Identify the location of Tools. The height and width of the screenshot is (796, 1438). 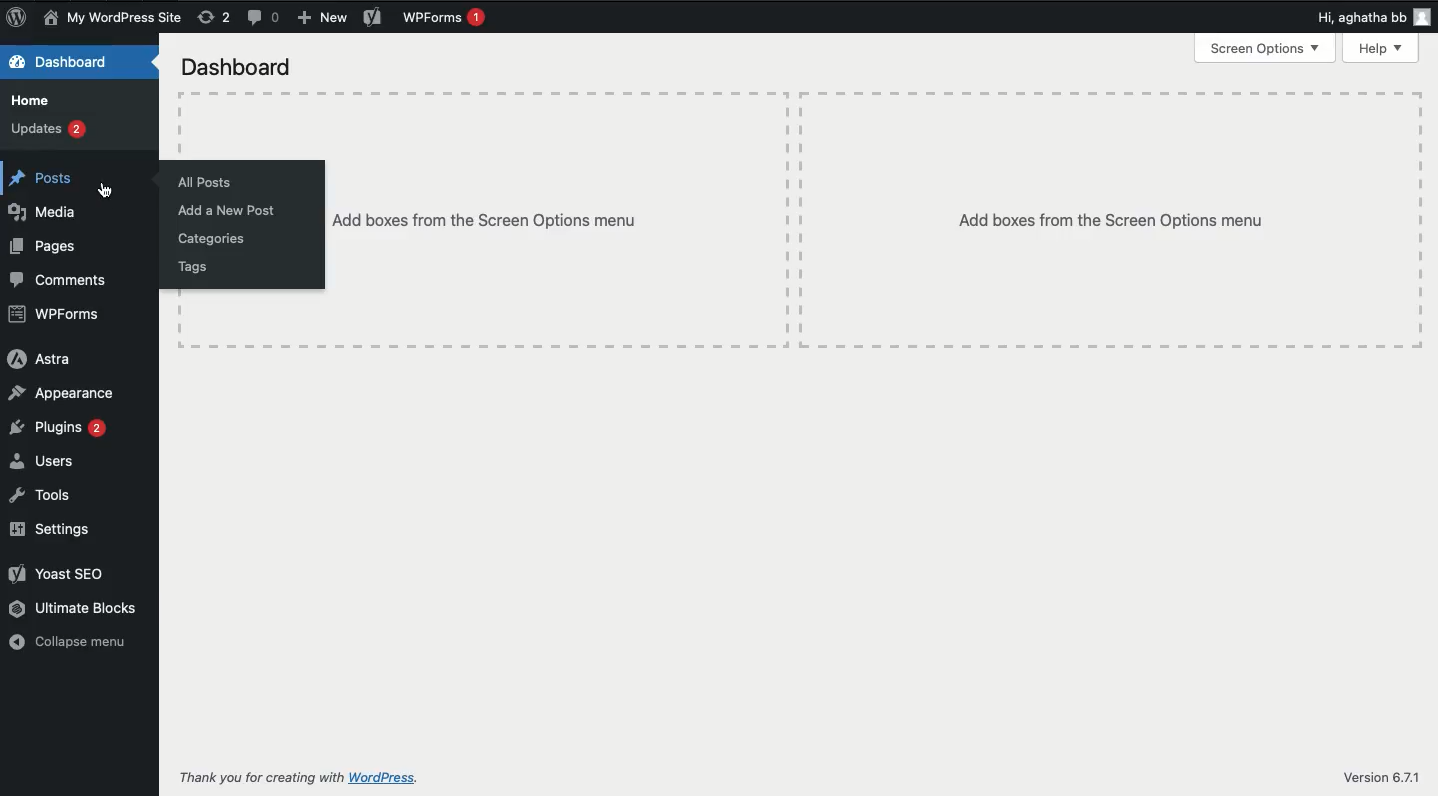
(39, 495).